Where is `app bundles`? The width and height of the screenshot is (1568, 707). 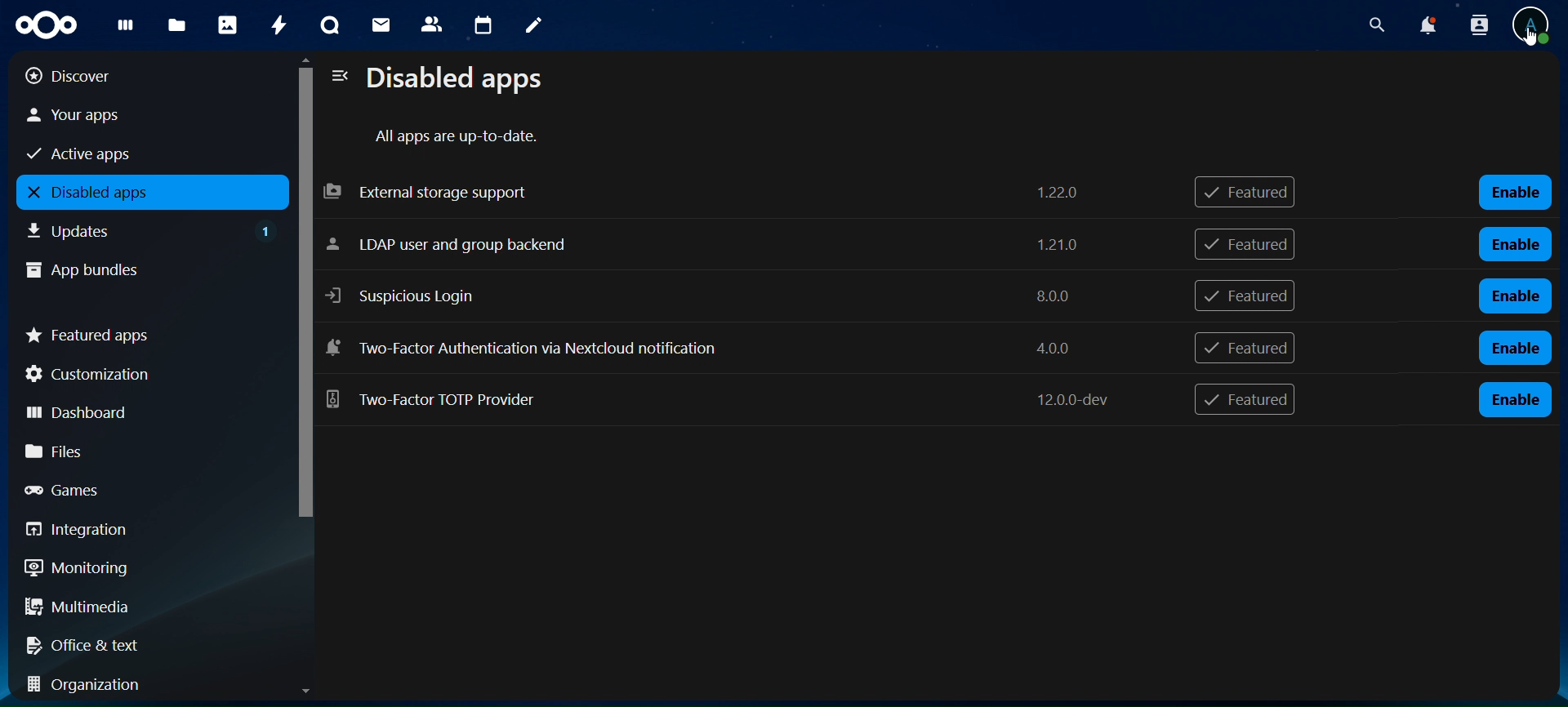 app bundles is located at coordinates (136, 268).